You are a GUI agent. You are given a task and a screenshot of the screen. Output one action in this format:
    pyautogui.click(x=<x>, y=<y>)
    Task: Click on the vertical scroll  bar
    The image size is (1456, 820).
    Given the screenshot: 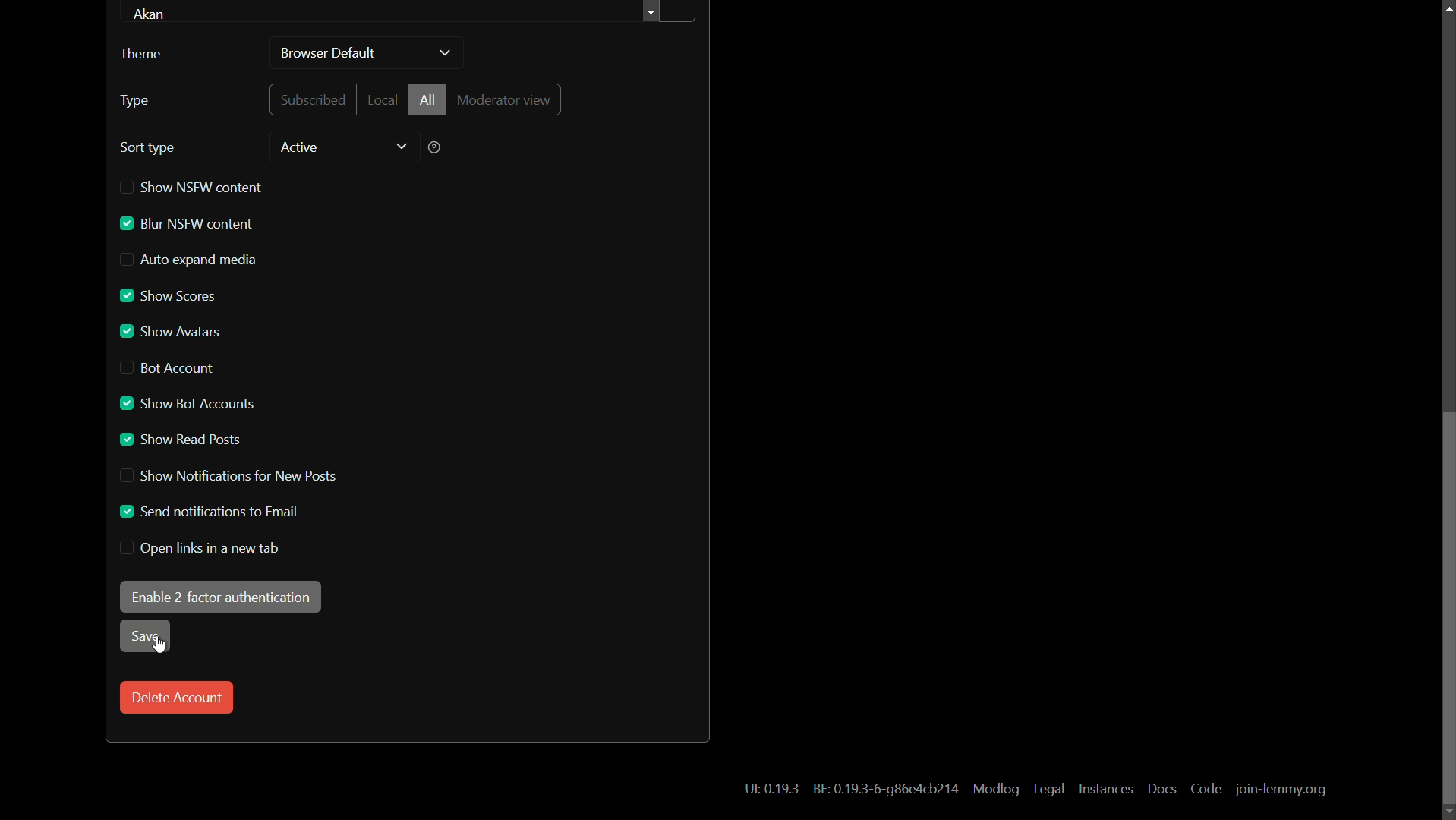 What is the action you would take?
    pyautogui.click(x=1447, y=607)
    